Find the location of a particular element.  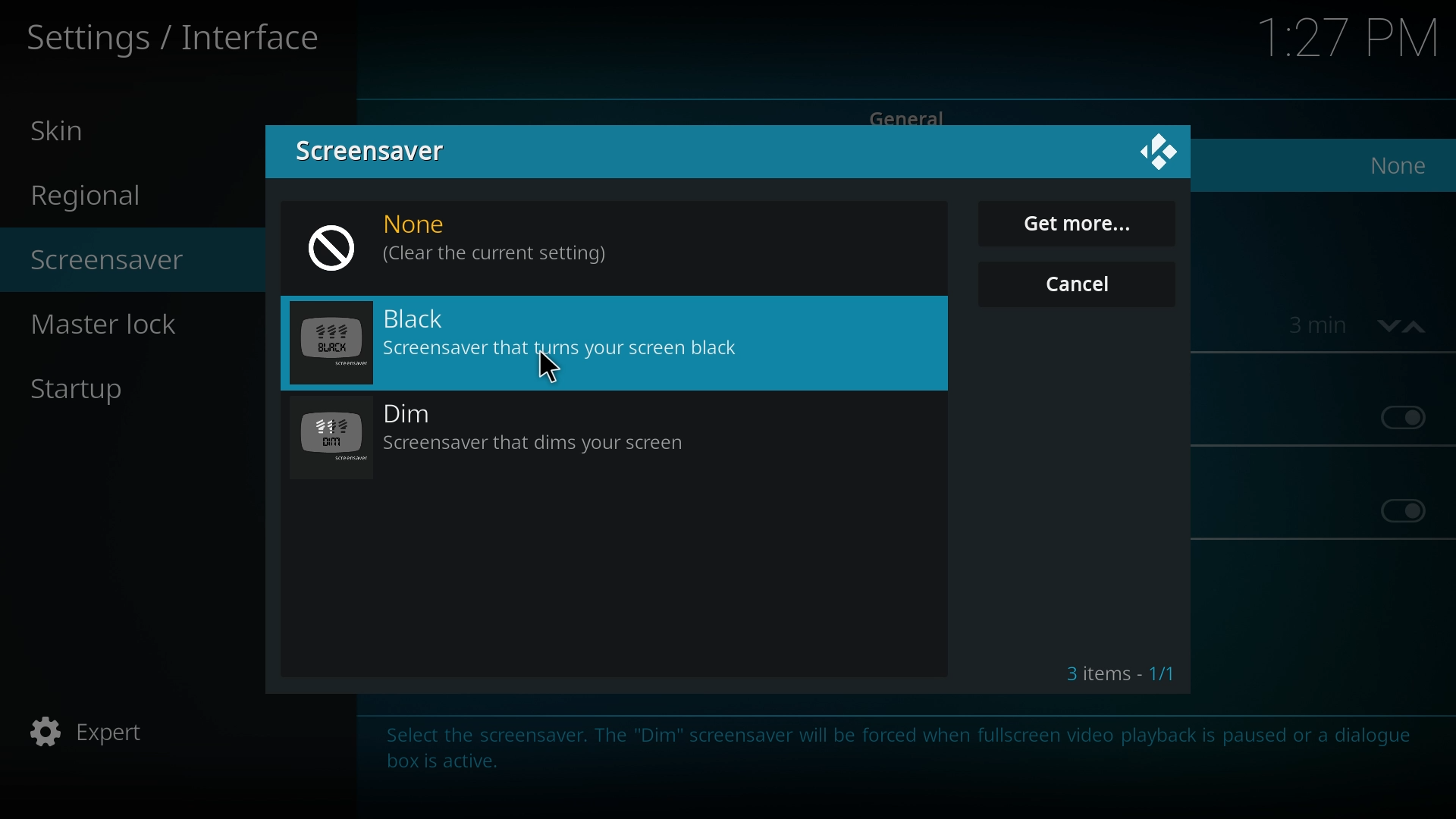

kodi is located at coordinates (1160, 152).